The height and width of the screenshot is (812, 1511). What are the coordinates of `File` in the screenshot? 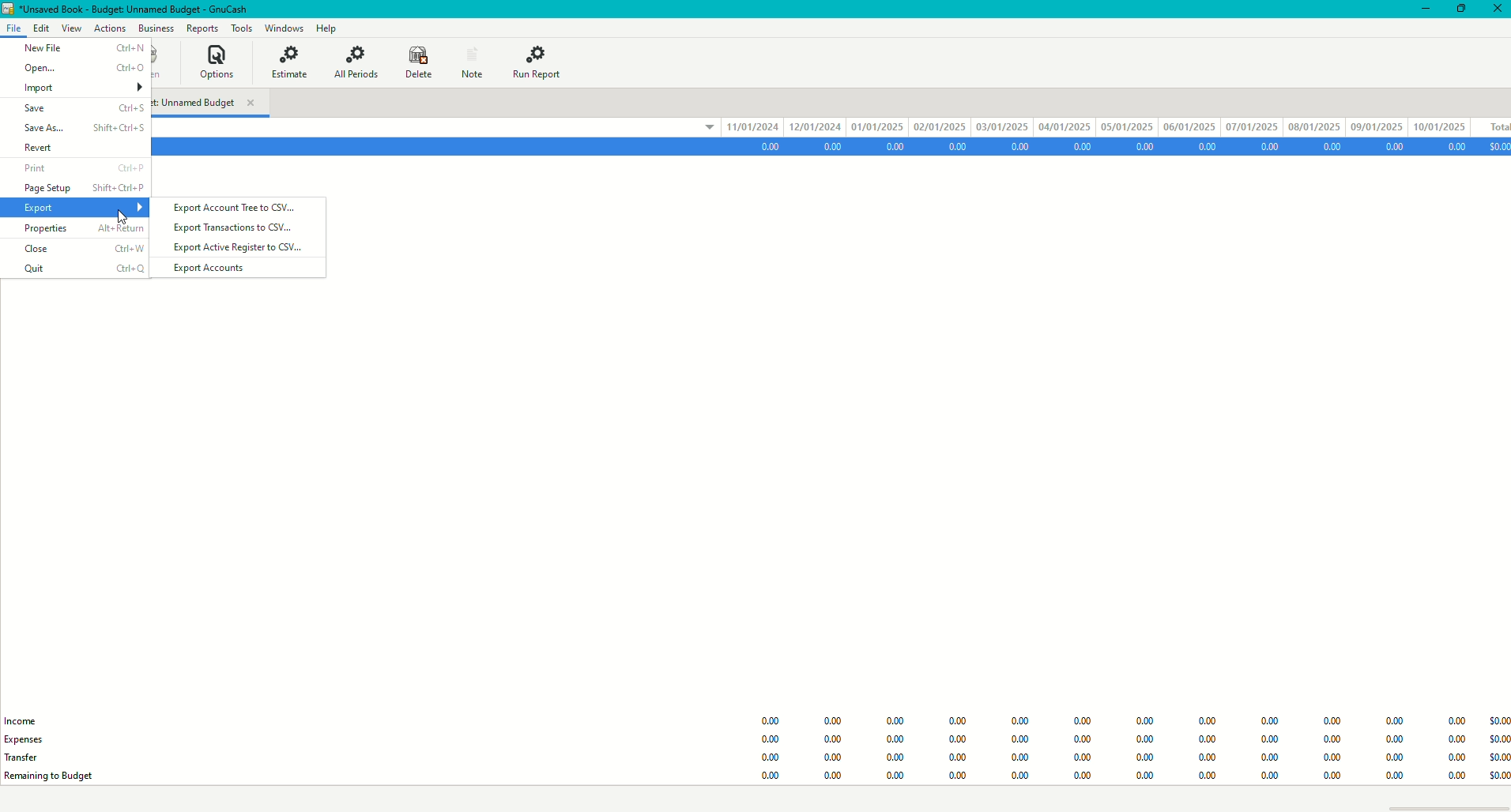 It's located at (14, 26).